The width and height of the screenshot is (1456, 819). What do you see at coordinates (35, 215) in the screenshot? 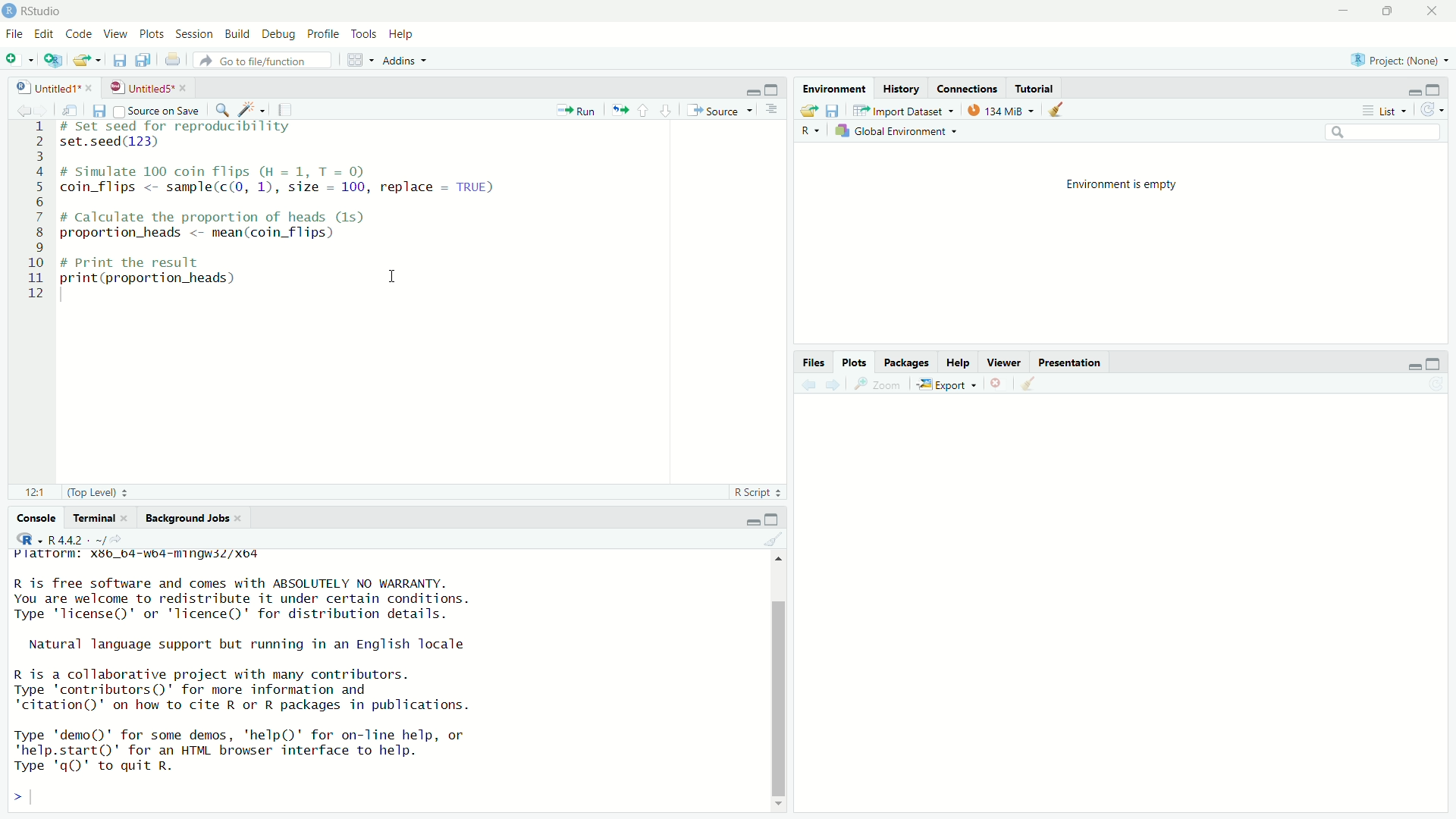
I see `serial number` at bounding box center [35, 215].